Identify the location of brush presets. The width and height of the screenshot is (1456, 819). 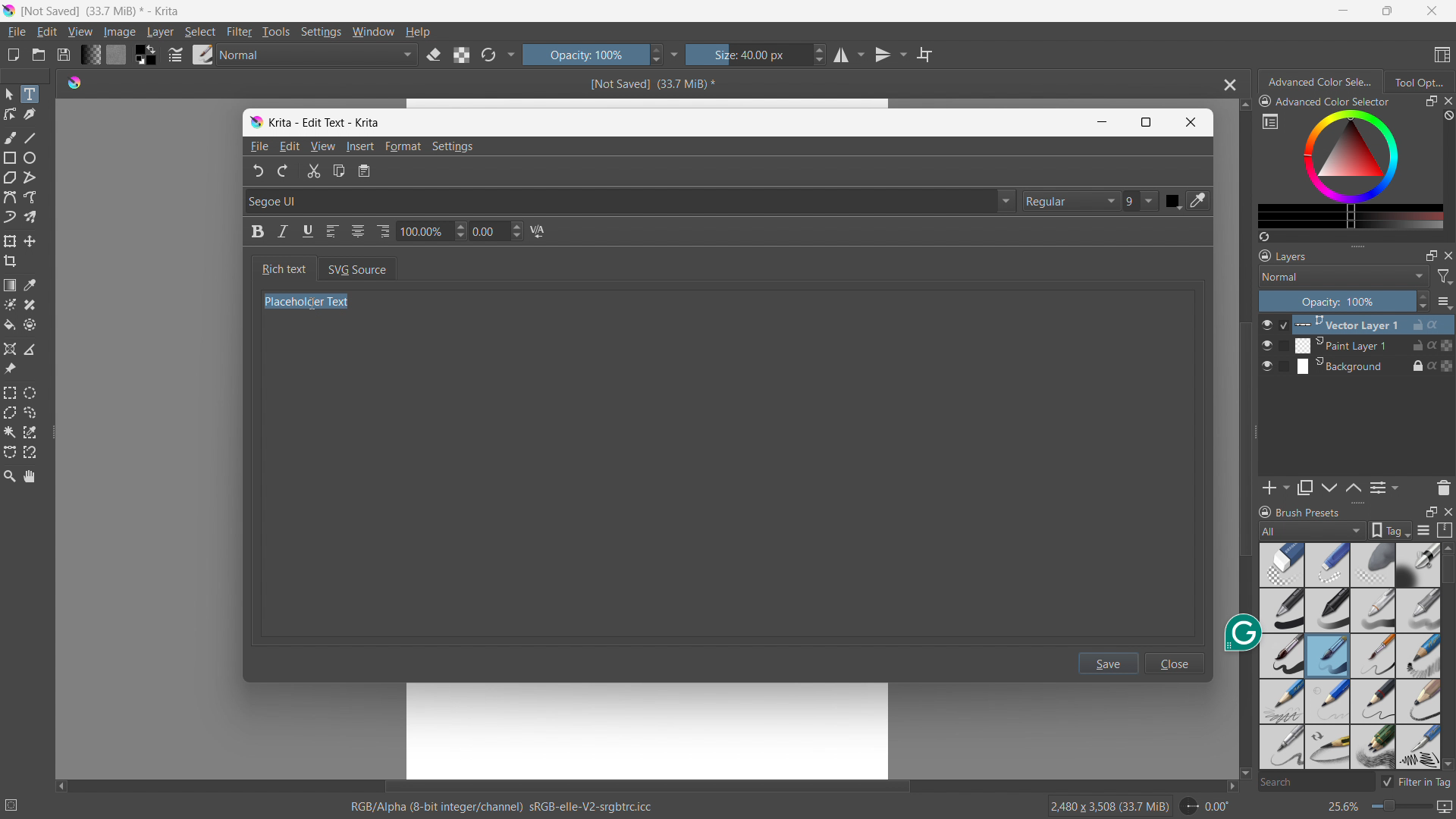
(203, 54).